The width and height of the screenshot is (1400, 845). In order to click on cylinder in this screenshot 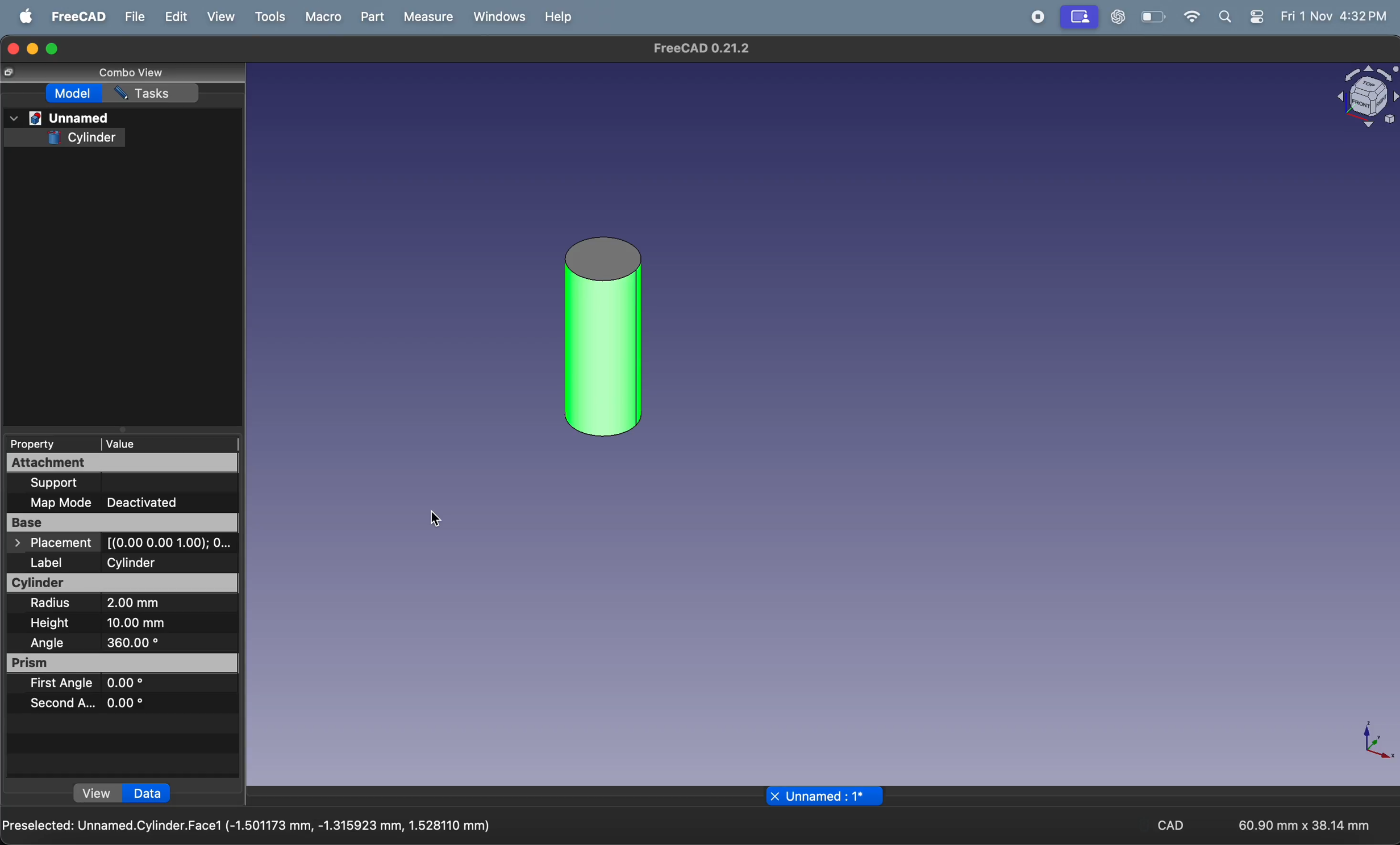, I will do `click(604, 337)`.